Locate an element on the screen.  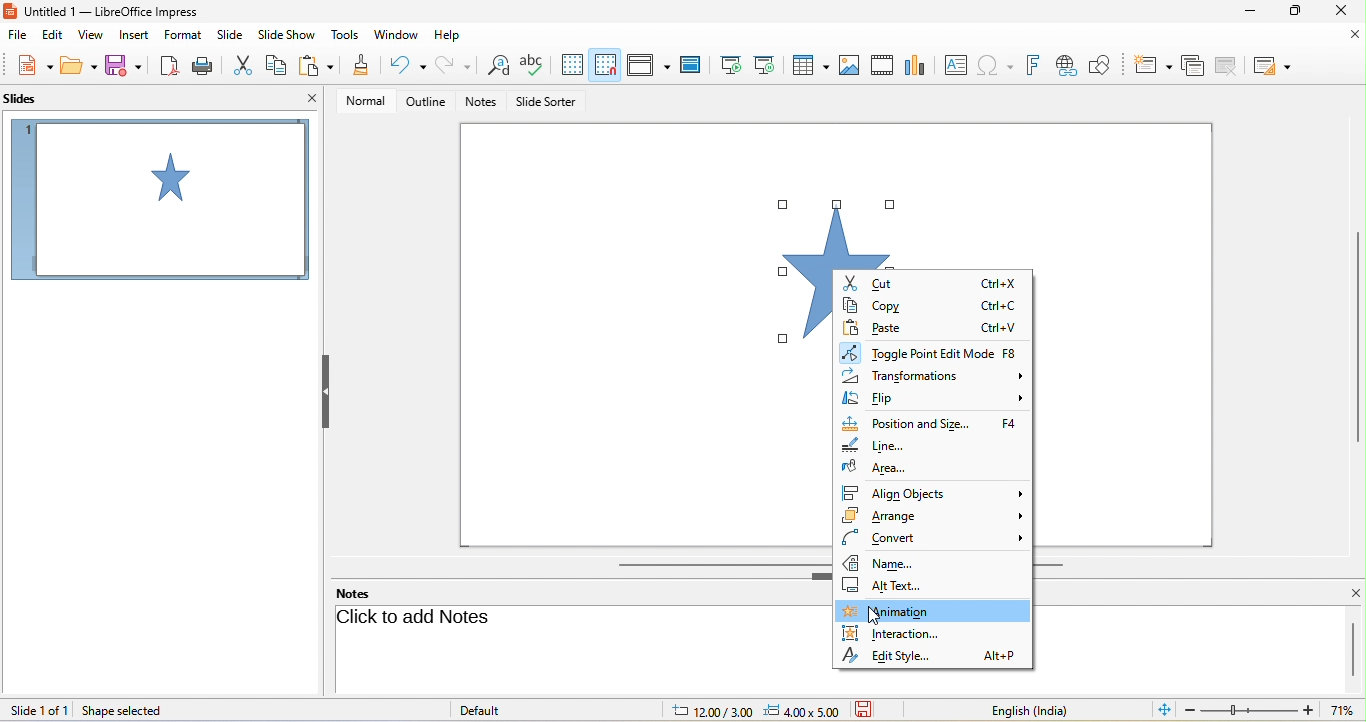
cursor movement is located at coordinates (876, 616).